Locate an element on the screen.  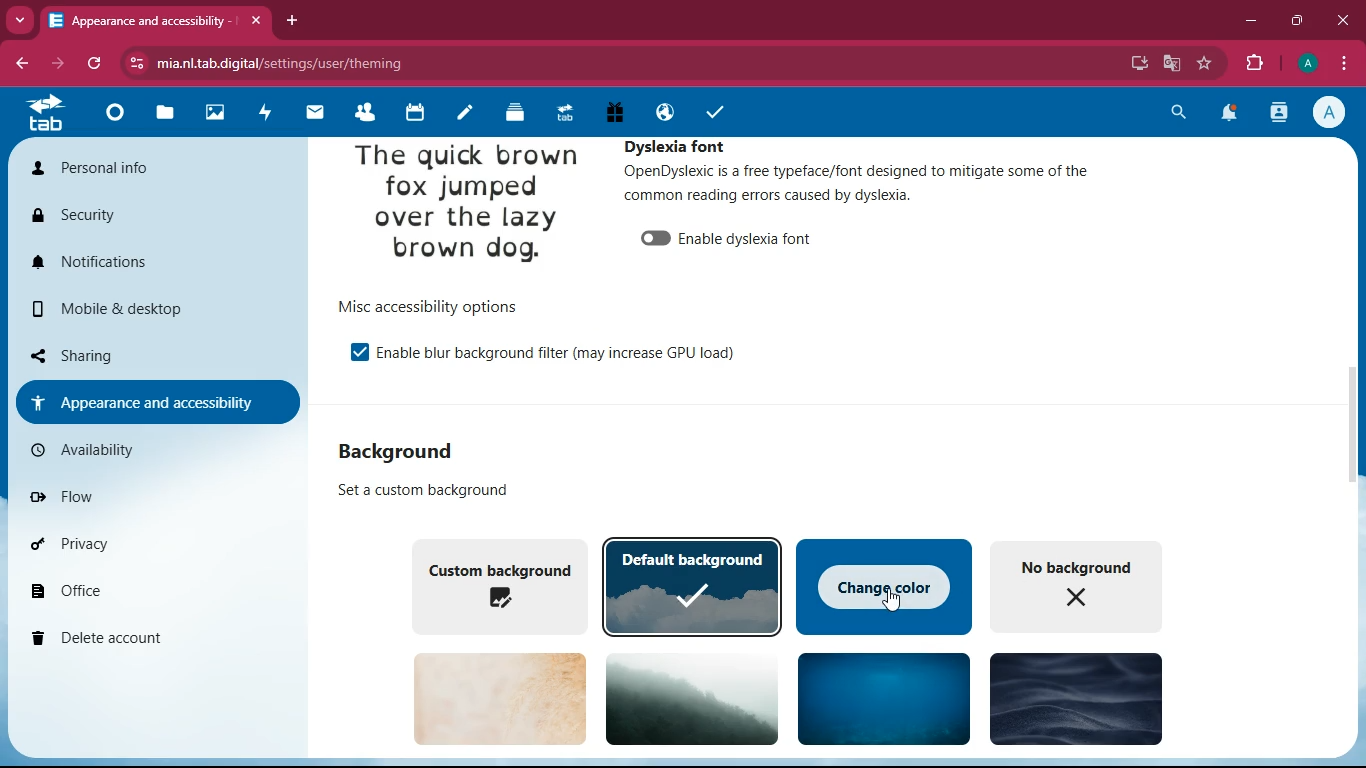
notifications is located at coordinates (144, 262).